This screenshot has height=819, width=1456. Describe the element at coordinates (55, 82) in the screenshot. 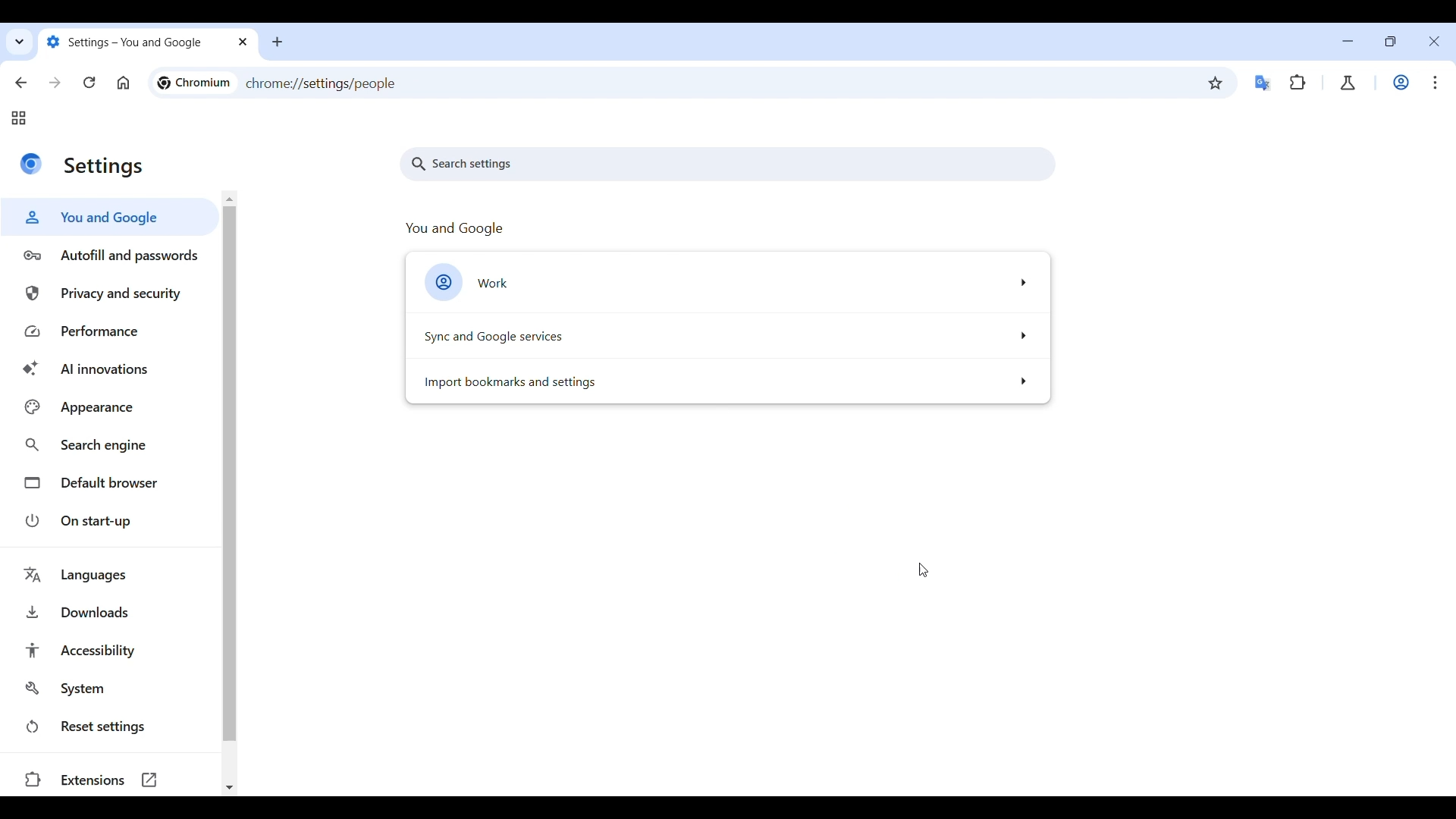

I see `Go forward` at that location.